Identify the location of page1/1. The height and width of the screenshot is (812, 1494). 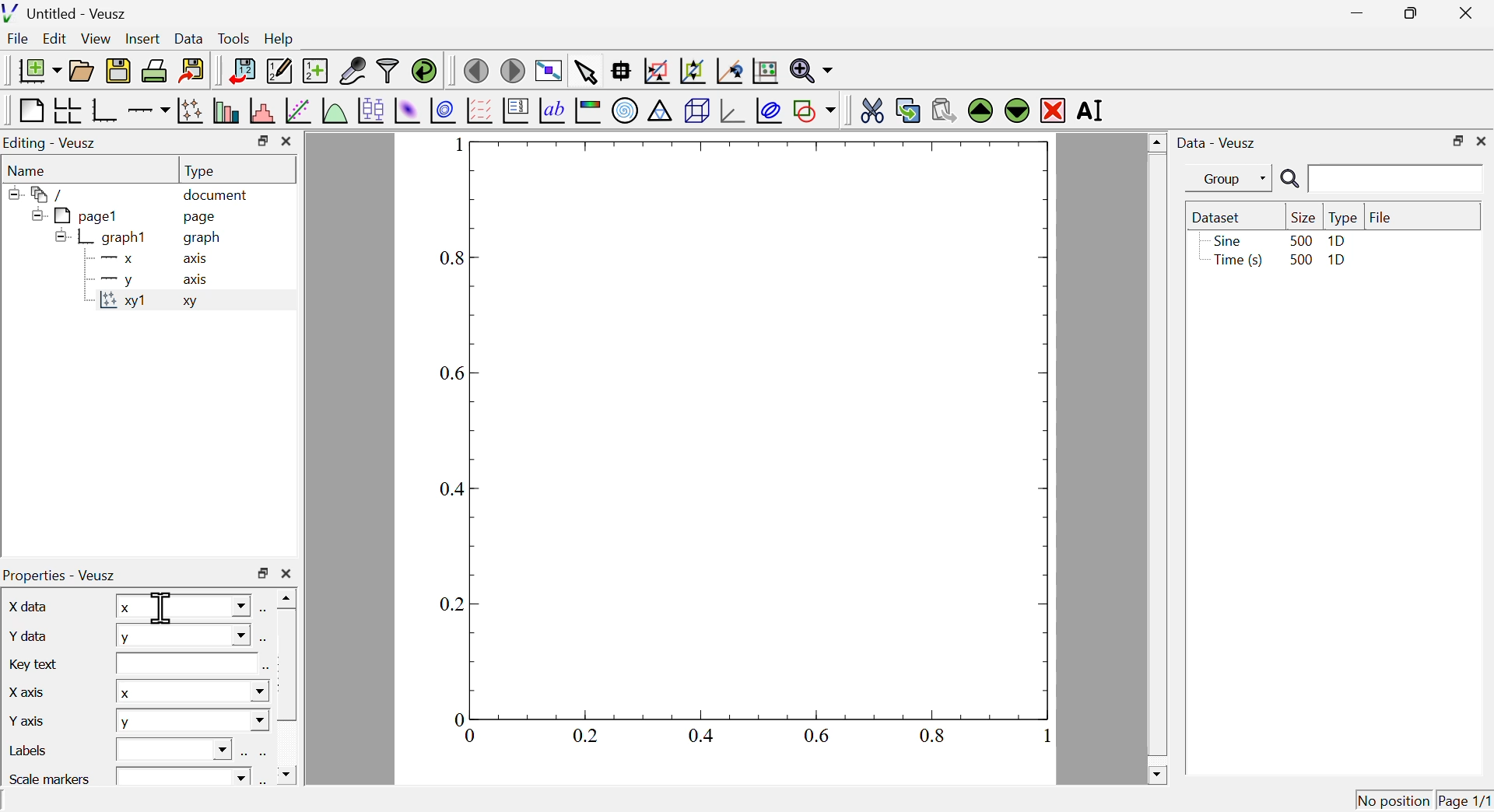
(1465, 797).